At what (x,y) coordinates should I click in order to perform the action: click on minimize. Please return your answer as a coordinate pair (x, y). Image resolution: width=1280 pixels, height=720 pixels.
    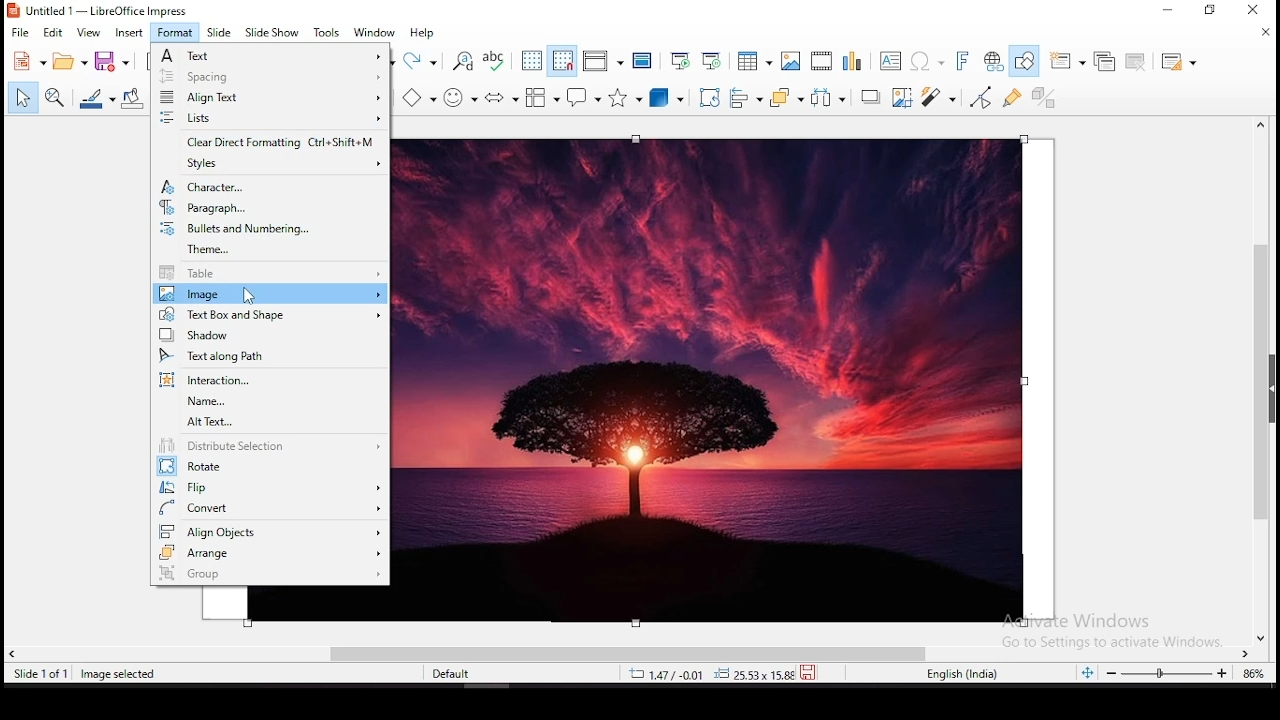
    Looking at the image, I should click on (1172, 10).